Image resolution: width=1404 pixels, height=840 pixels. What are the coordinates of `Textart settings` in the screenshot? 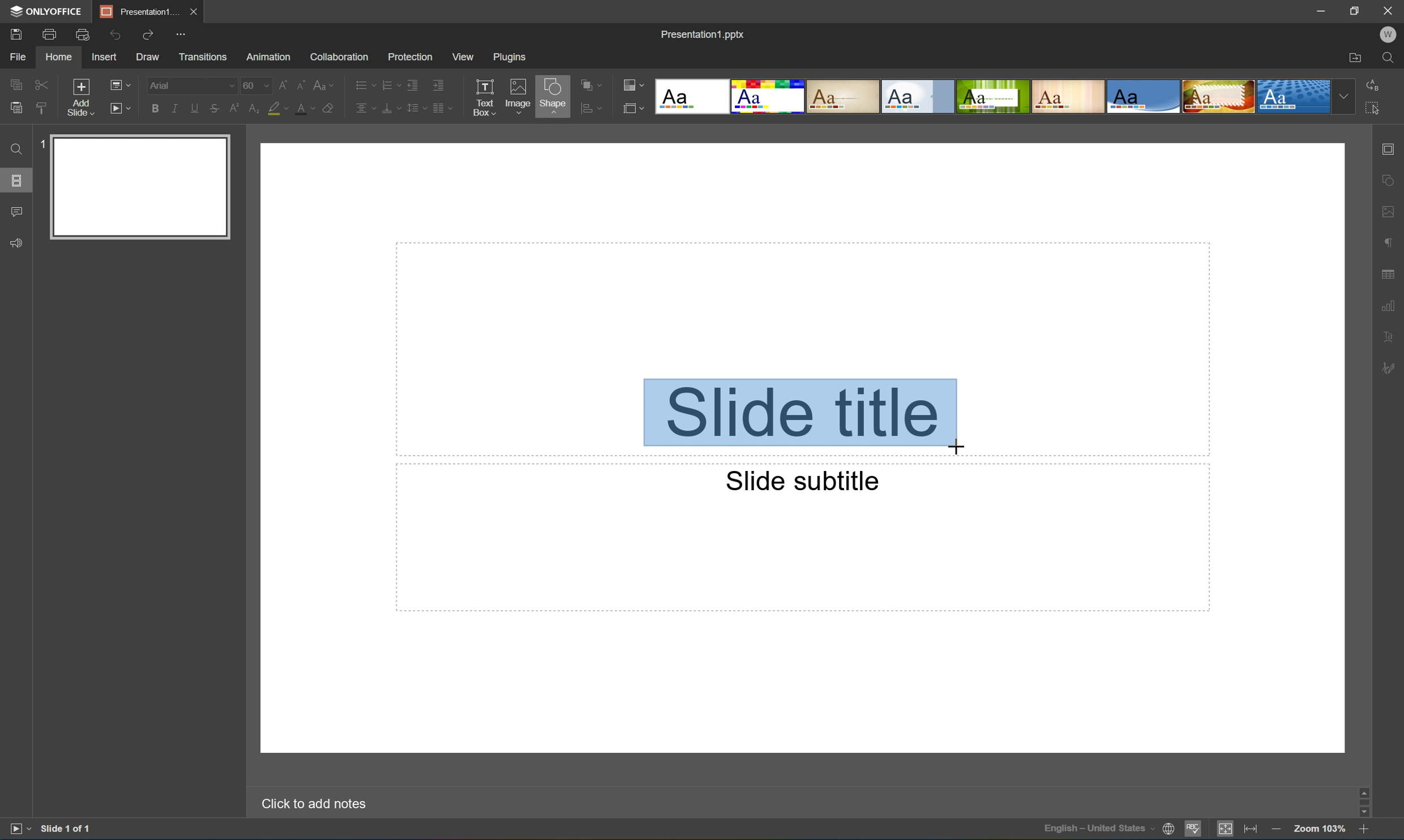 It's located at (1389, 338).